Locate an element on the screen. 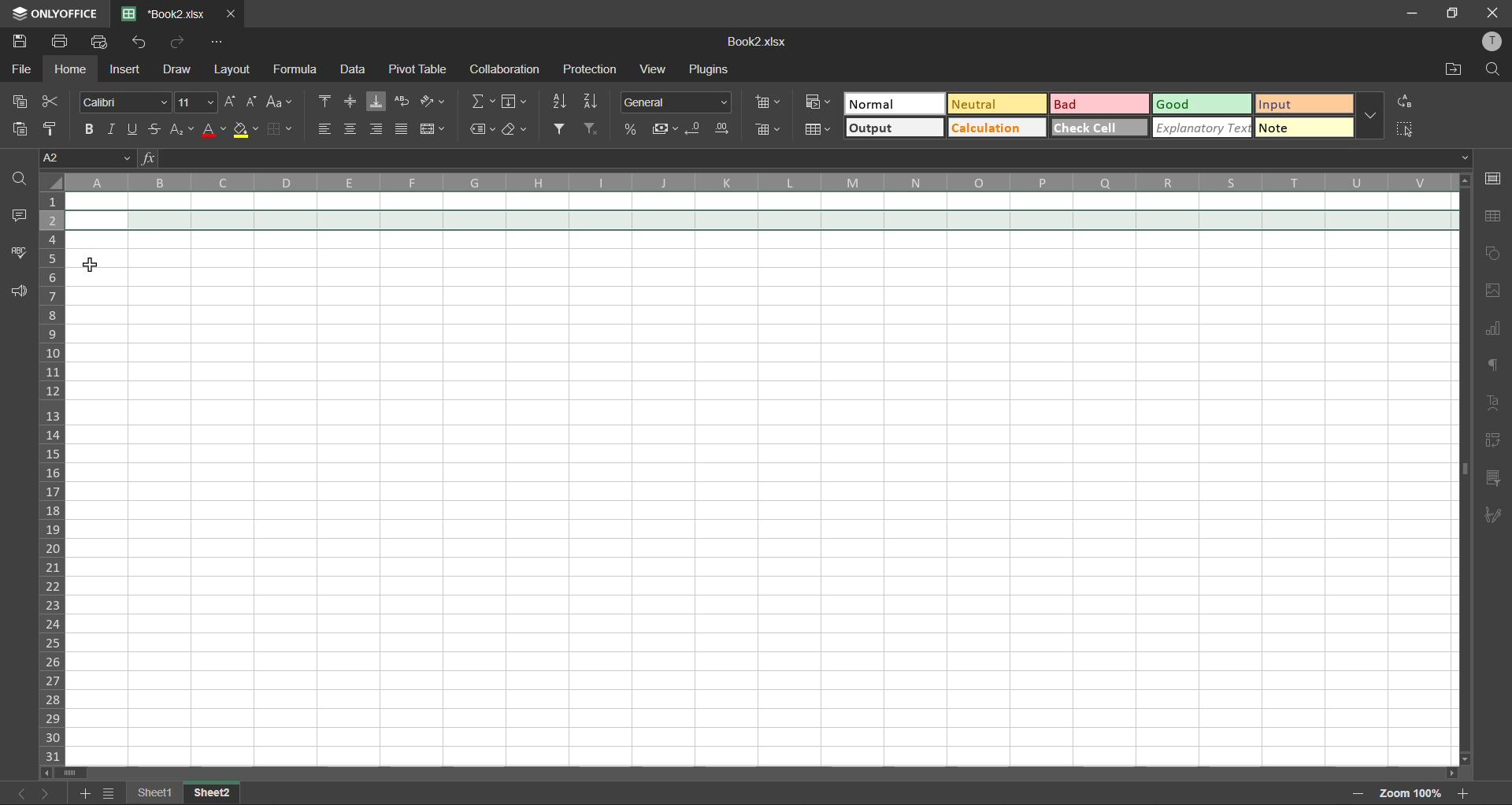 The height and width of the screenshot is (805, 1512). minimize is located at coordinates (1413, 14).